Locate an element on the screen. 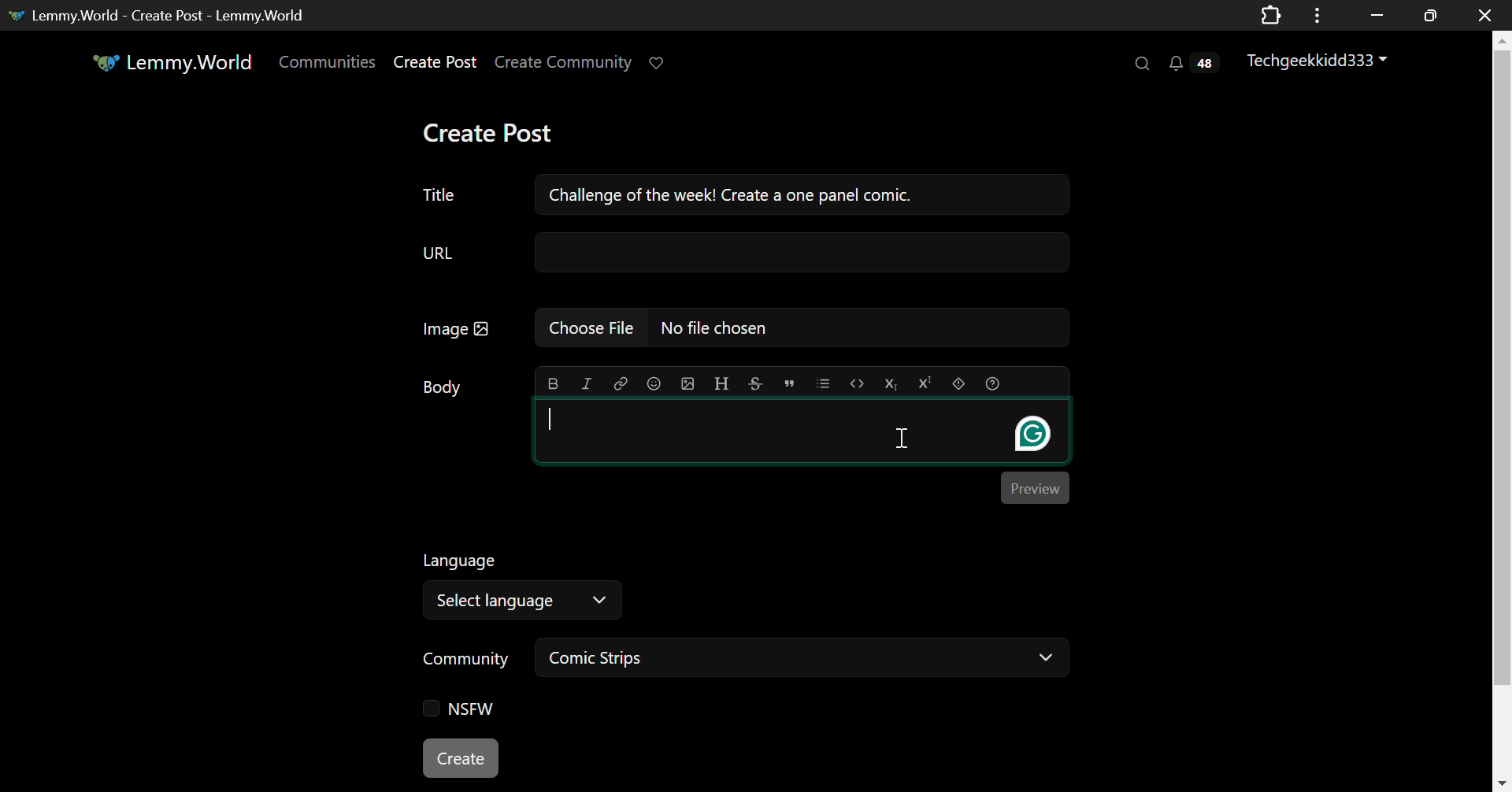 The image size is (1512, 792). Close Window is located at coordinates (1480, 13).